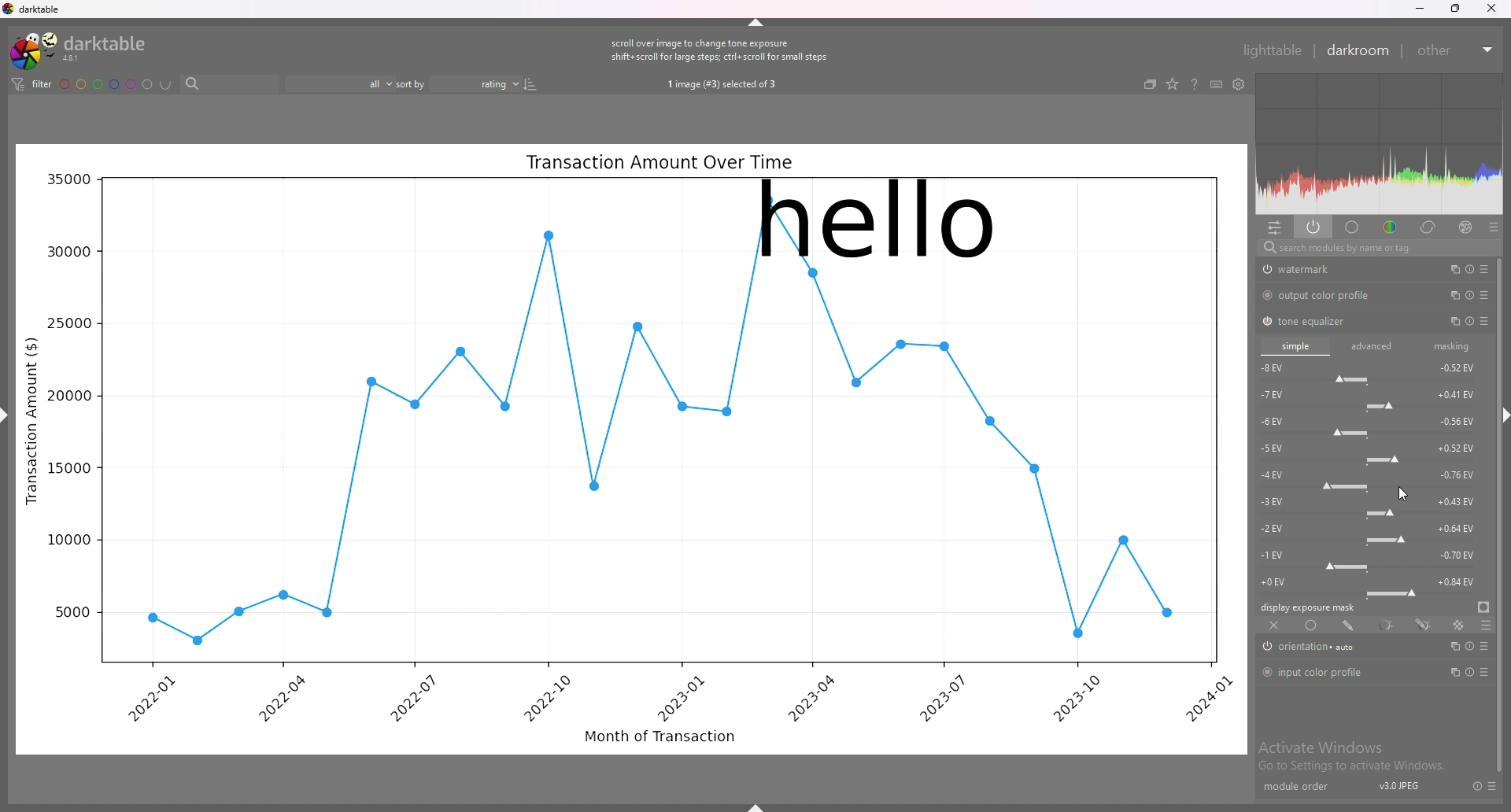 The height and width of the screenshot is (812, 1511). I want to click on -6 EV force, so click(1372, 426).